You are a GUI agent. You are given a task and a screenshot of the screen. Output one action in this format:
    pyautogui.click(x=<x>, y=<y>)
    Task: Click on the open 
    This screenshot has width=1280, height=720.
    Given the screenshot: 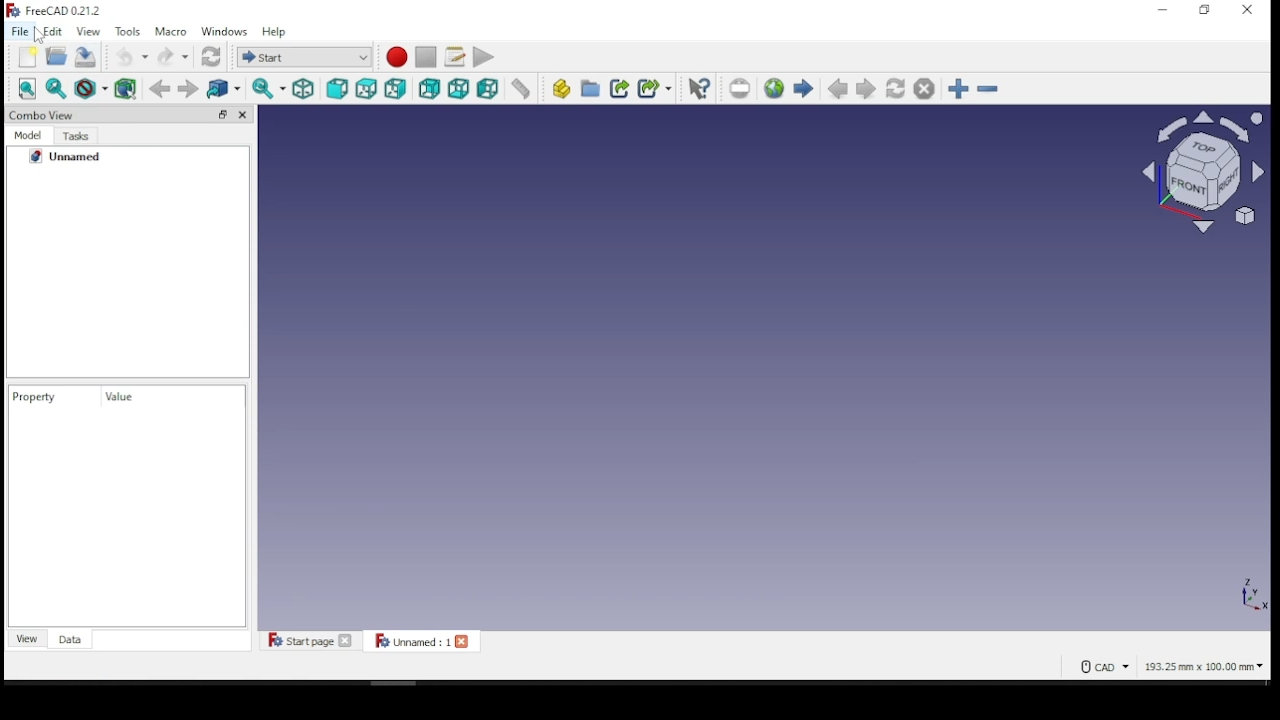 What is the action you would take?
    pyautogui.click(x=57, y=57)
    